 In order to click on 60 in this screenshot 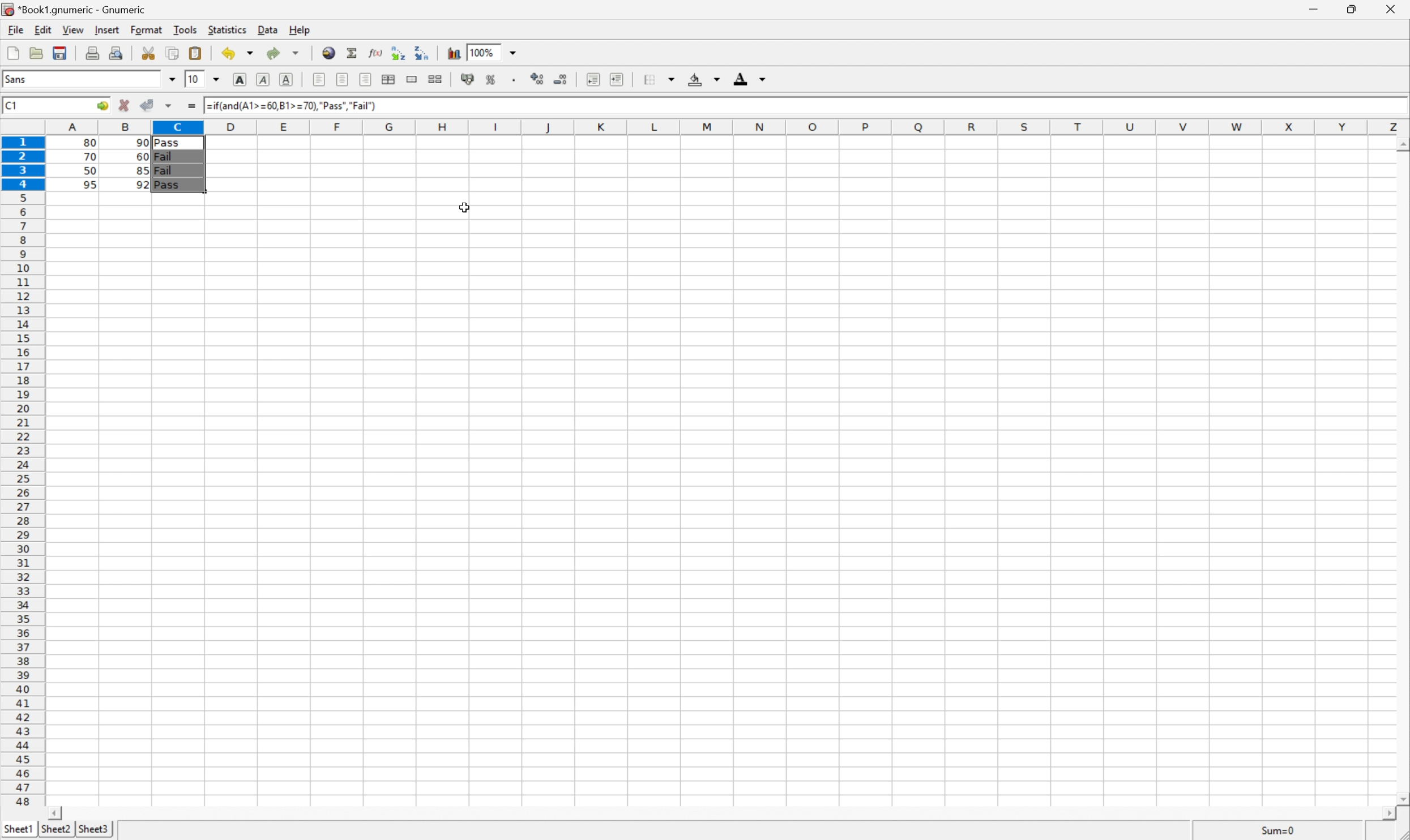, I will do `click(142, 156)`.